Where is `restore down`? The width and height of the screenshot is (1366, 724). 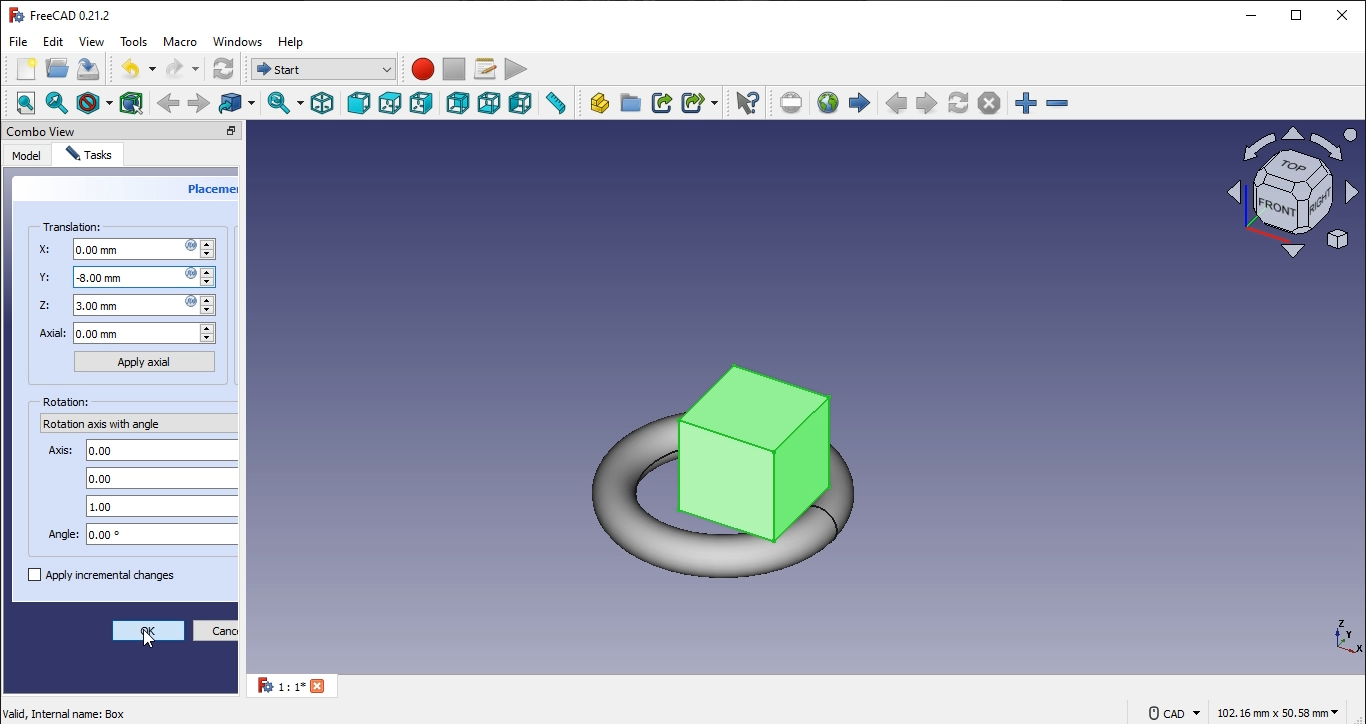 restore down is located at coordinates (1298, 15).